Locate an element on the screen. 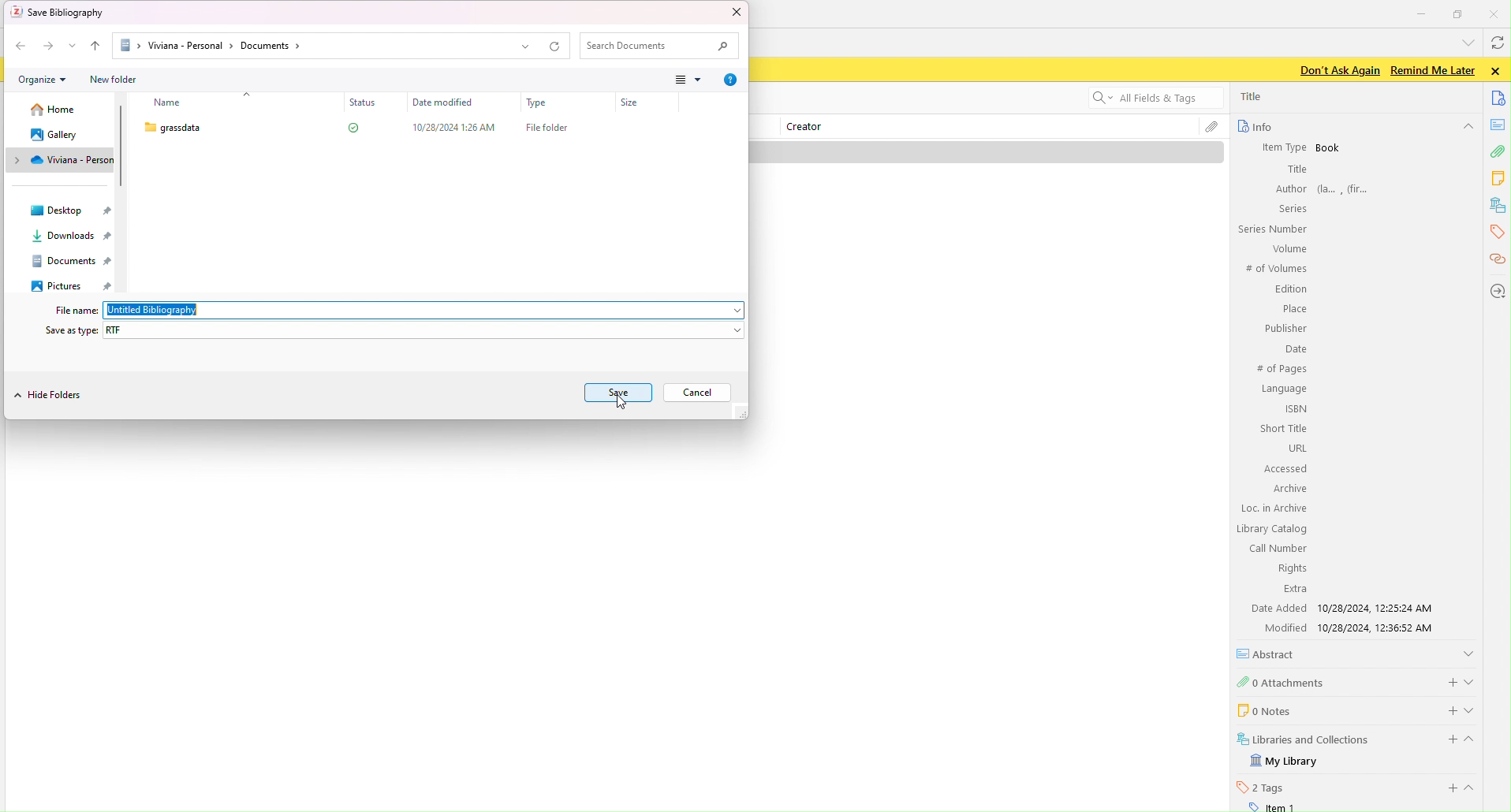 This screenshot has width=1511, height=812. Help is located at coordinates (730, 79).